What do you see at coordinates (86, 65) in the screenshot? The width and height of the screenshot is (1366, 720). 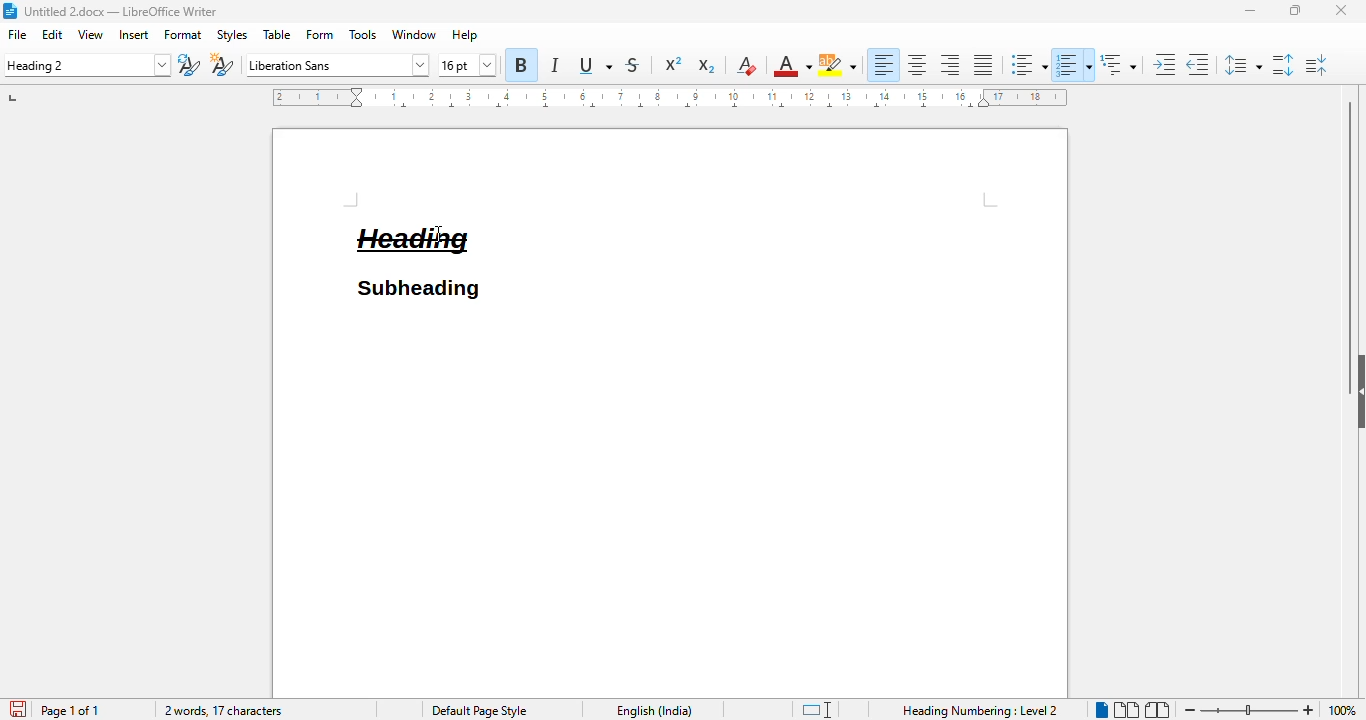 I see `set paragraph style` at bounding box center [86, 65].